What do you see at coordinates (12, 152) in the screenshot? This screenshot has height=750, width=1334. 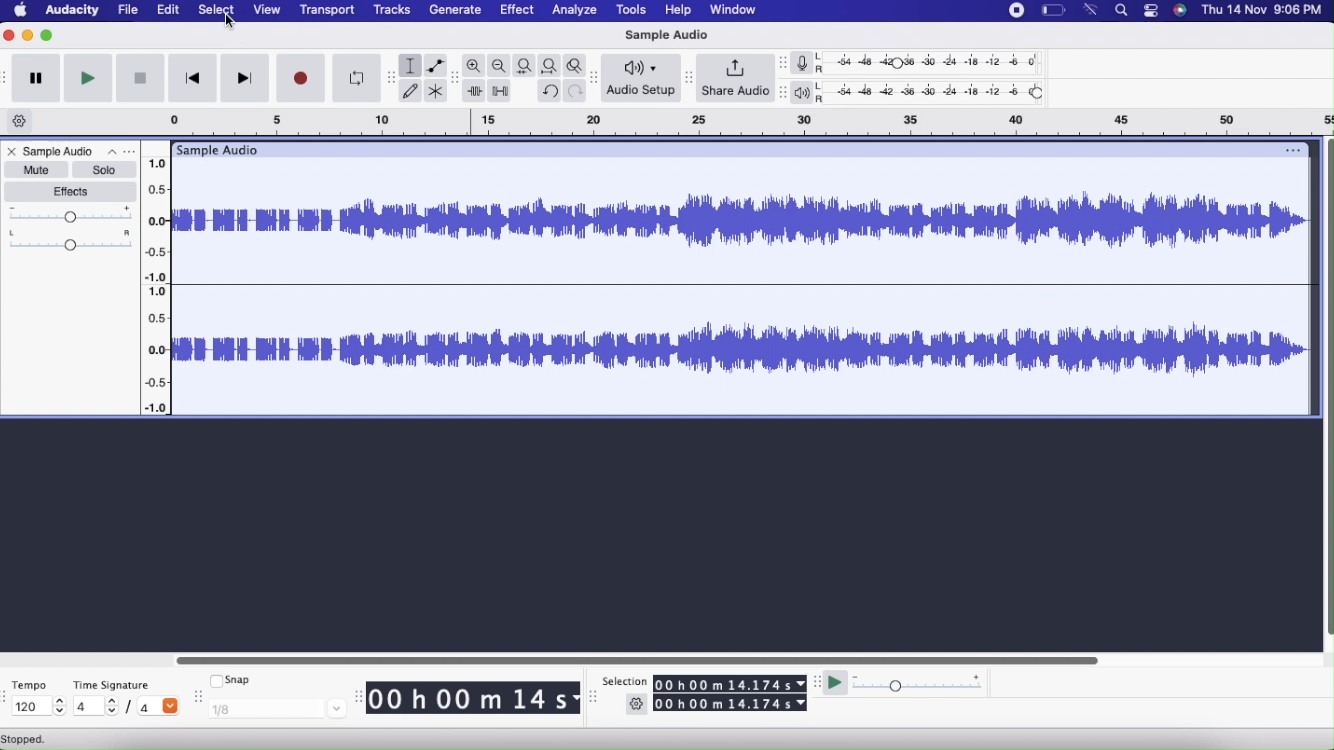 I see `Close` at bounding box center [12, 152].